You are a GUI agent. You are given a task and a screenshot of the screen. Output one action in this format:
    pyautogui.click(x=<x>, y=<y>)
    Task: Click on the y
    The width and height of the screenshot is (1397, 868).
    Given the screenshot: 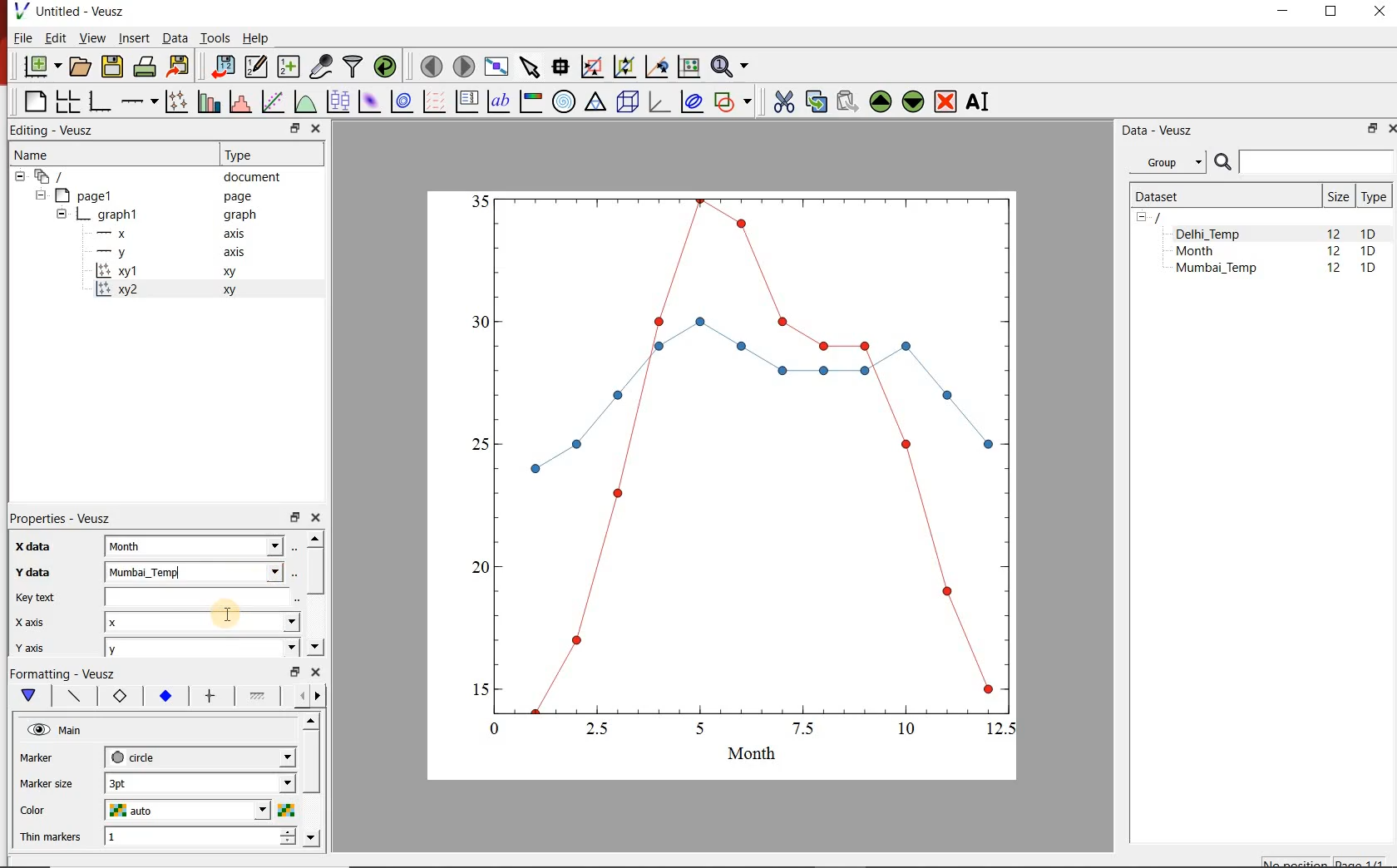 What is the action you would take?
    pyautogui.click(x=201, y=649)
    